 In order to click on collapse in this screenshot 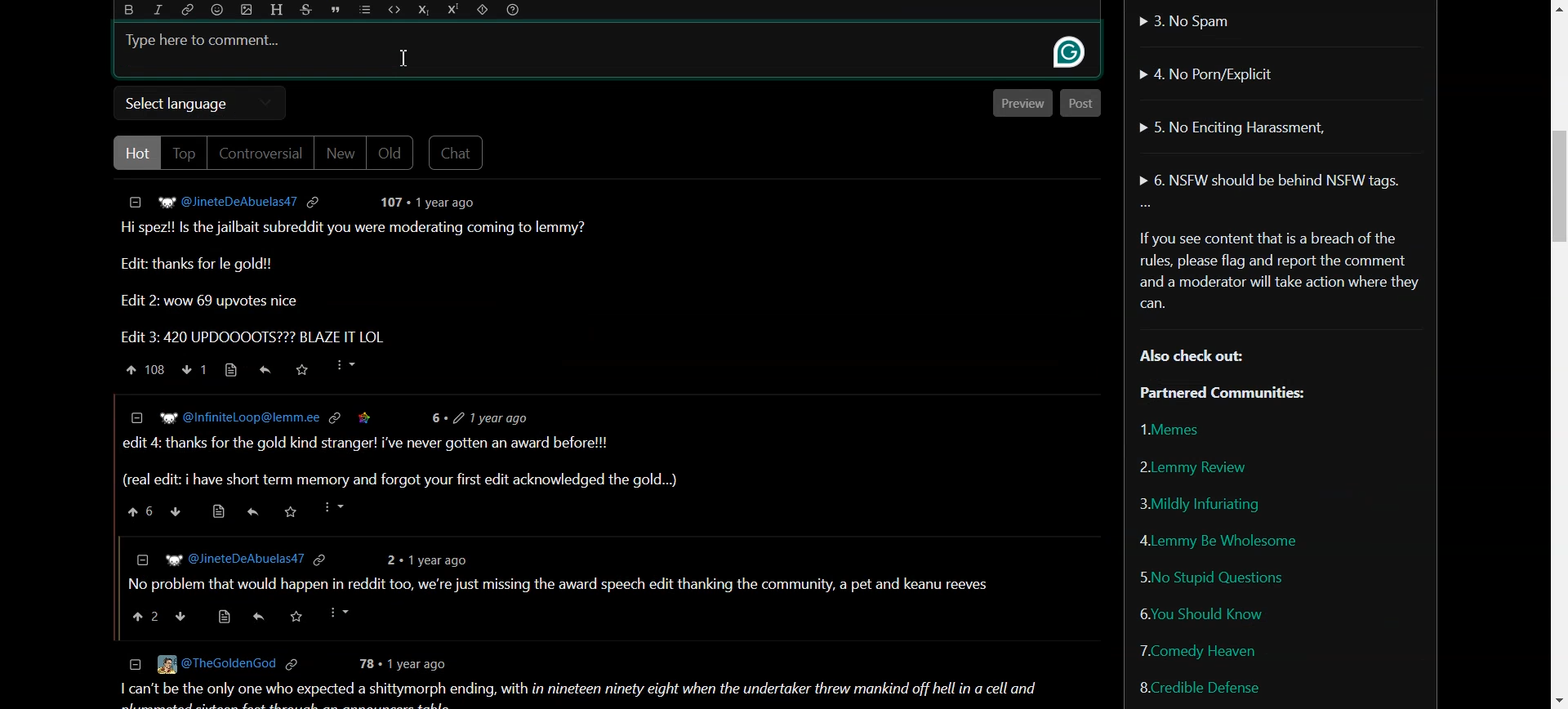, I will do `click(140, 419)`.